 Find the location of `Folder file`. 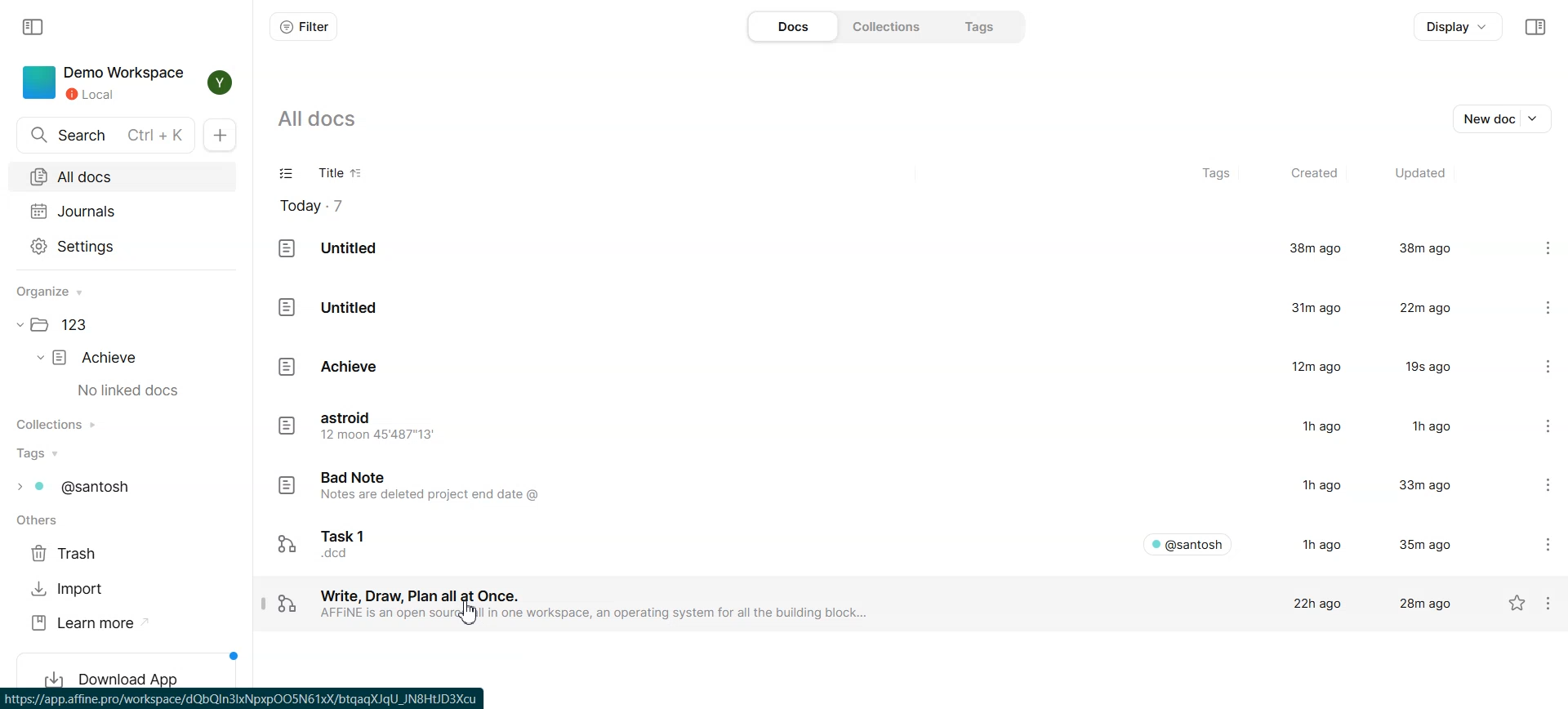

Folder file is located at coordinates (68, 326).